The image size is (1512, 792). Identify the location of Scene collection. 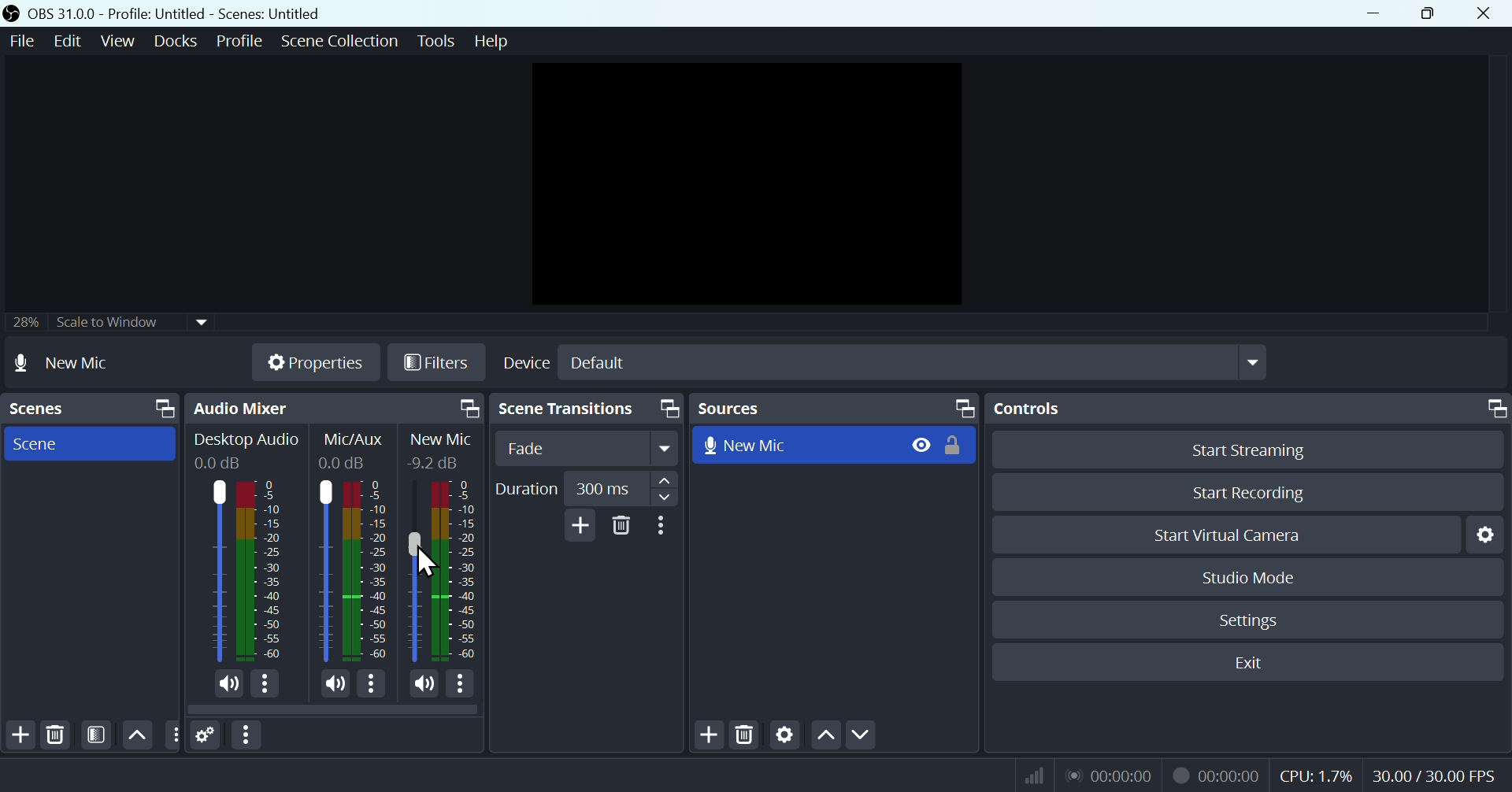
(343, 43).